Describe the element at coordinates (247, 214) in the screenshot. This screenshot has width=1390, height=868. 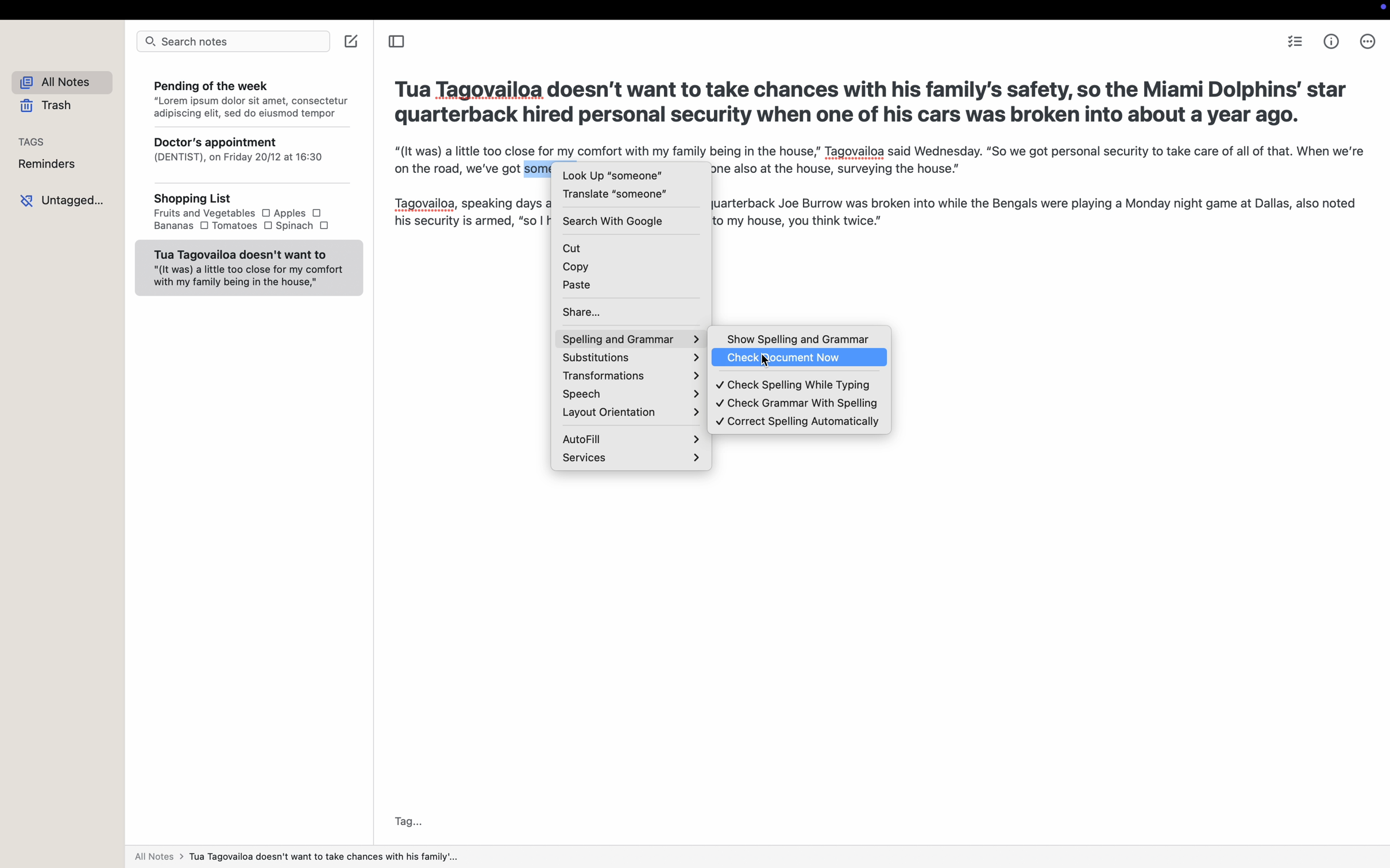
I see `2nopping LIst
Fruits and Vegetables O Apples O
Bananas O Tomatoes O Spinach O` at that location.